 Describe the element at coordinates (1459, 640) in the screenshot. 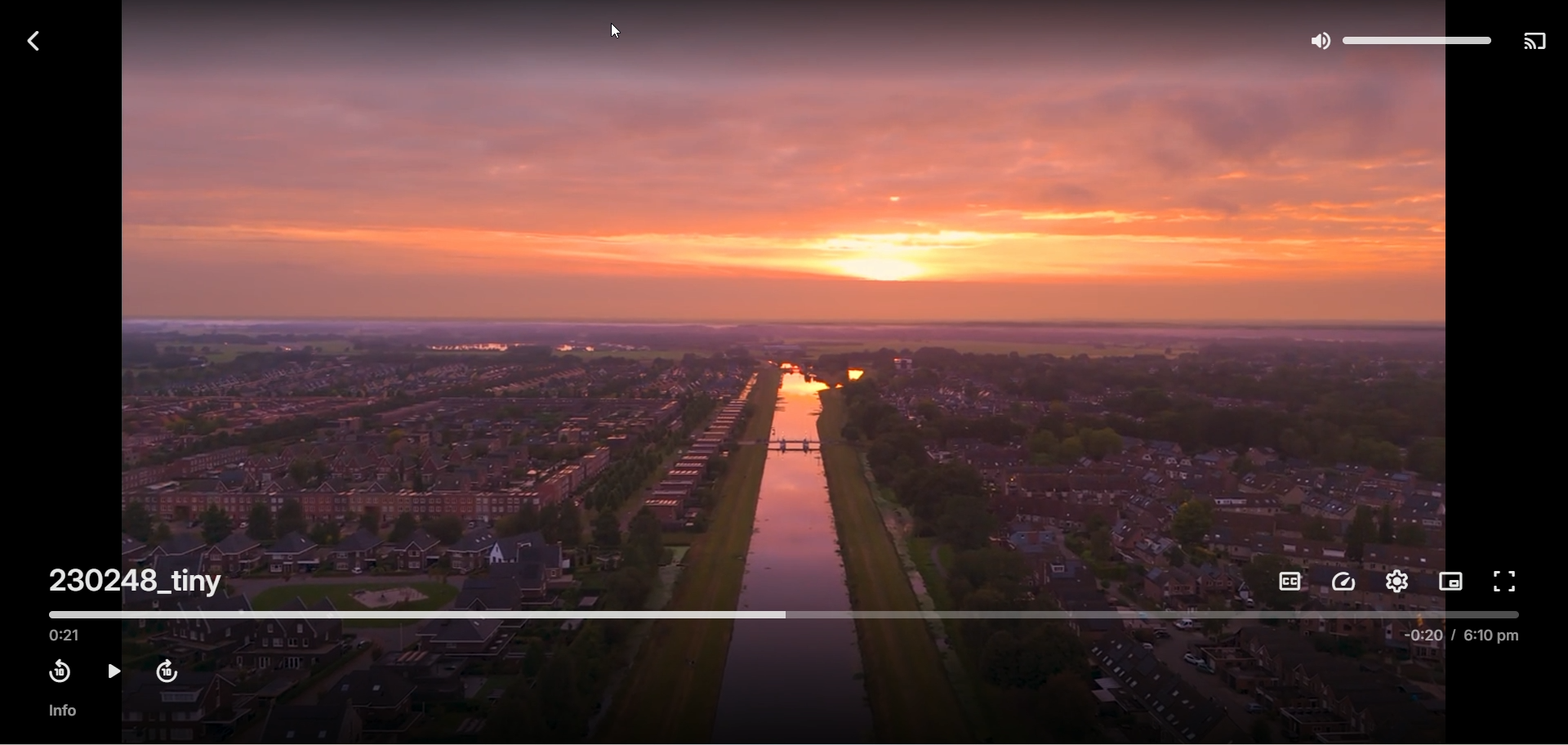

I see `-0:20 / 6:10pm` at that location.